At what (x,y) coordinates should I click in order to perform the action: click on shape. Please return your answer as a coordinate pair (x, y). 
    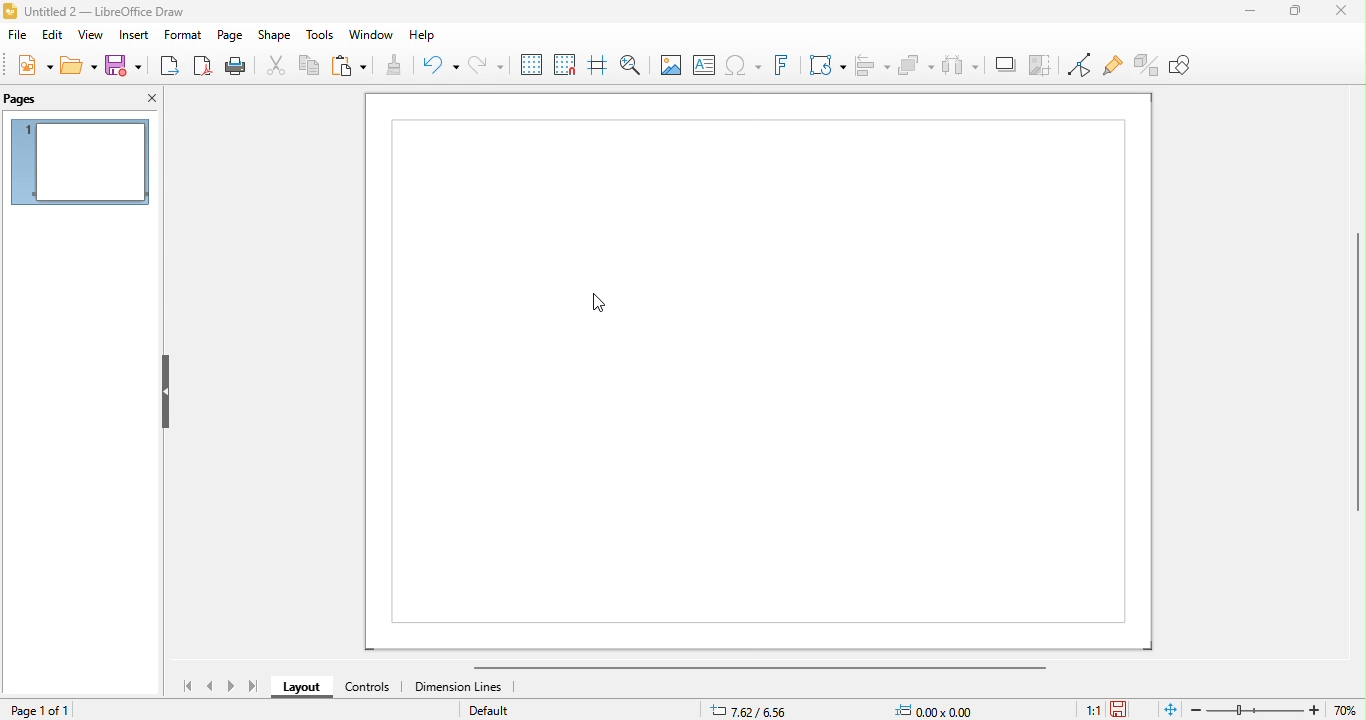
    Looking at the image, I should click on (275, 36).